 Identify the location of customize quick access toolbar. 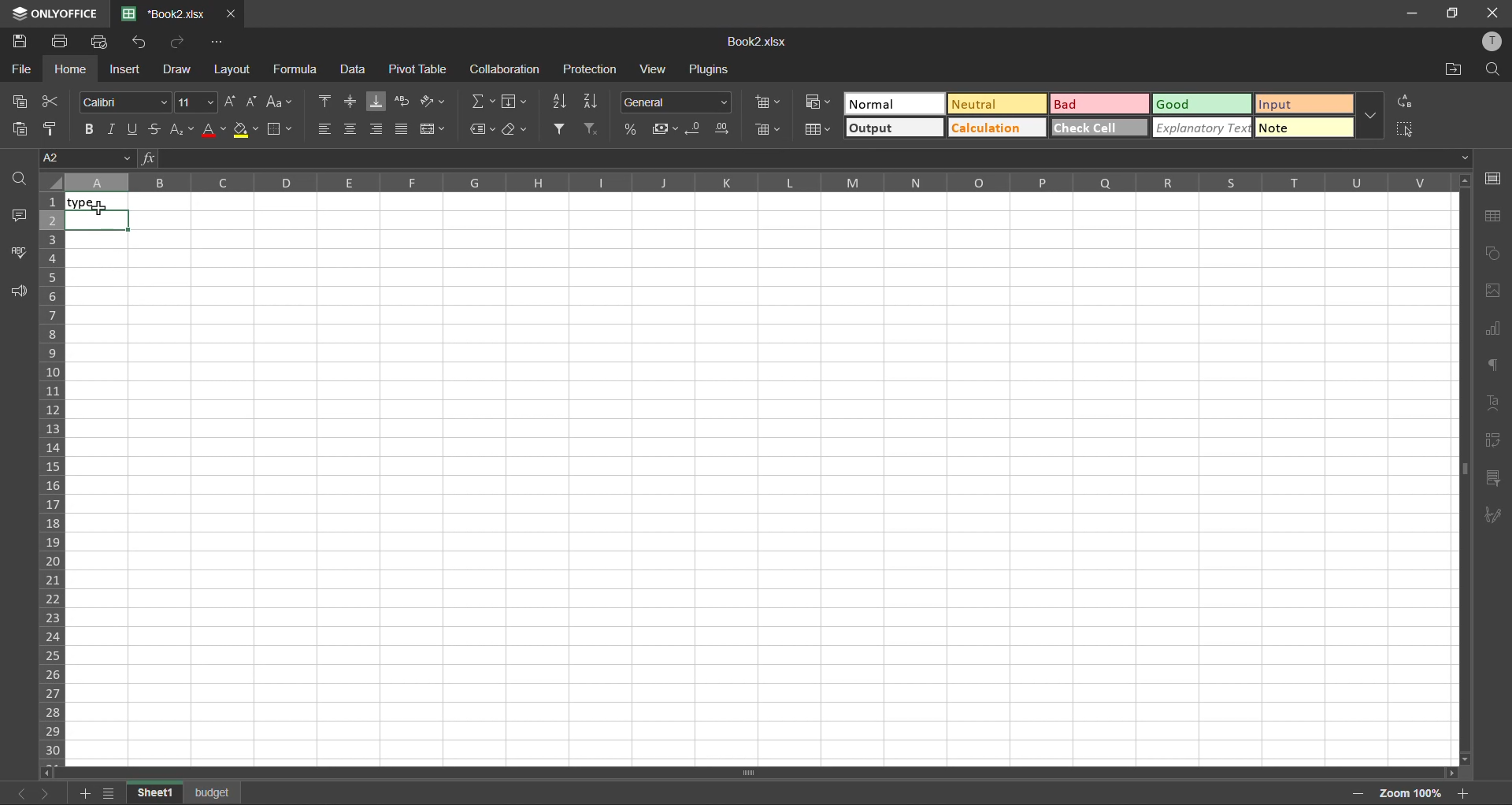
(218, 43).